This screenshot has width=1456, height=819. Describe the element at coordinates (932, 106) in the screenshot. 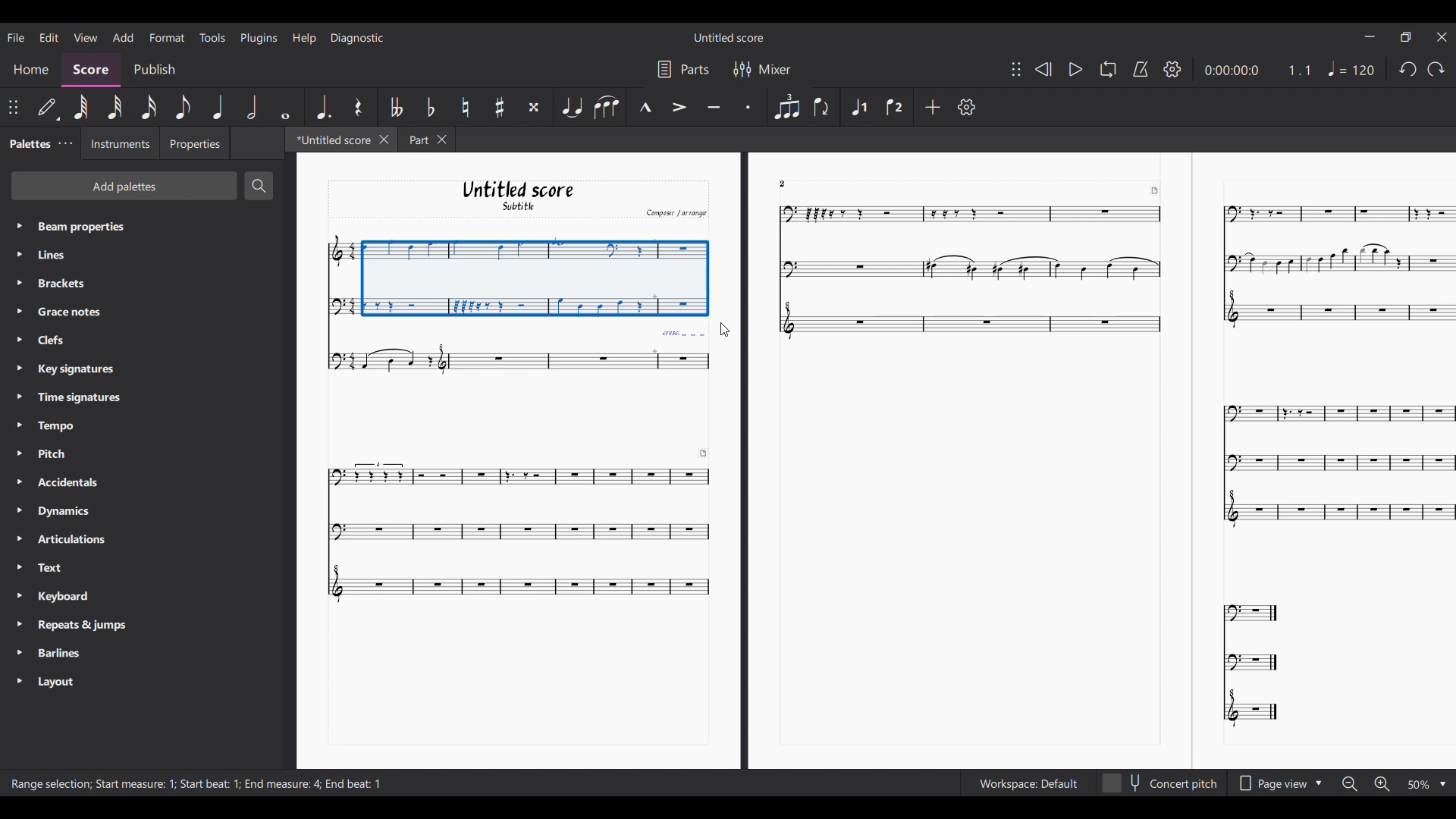

I see `Add` at that location.